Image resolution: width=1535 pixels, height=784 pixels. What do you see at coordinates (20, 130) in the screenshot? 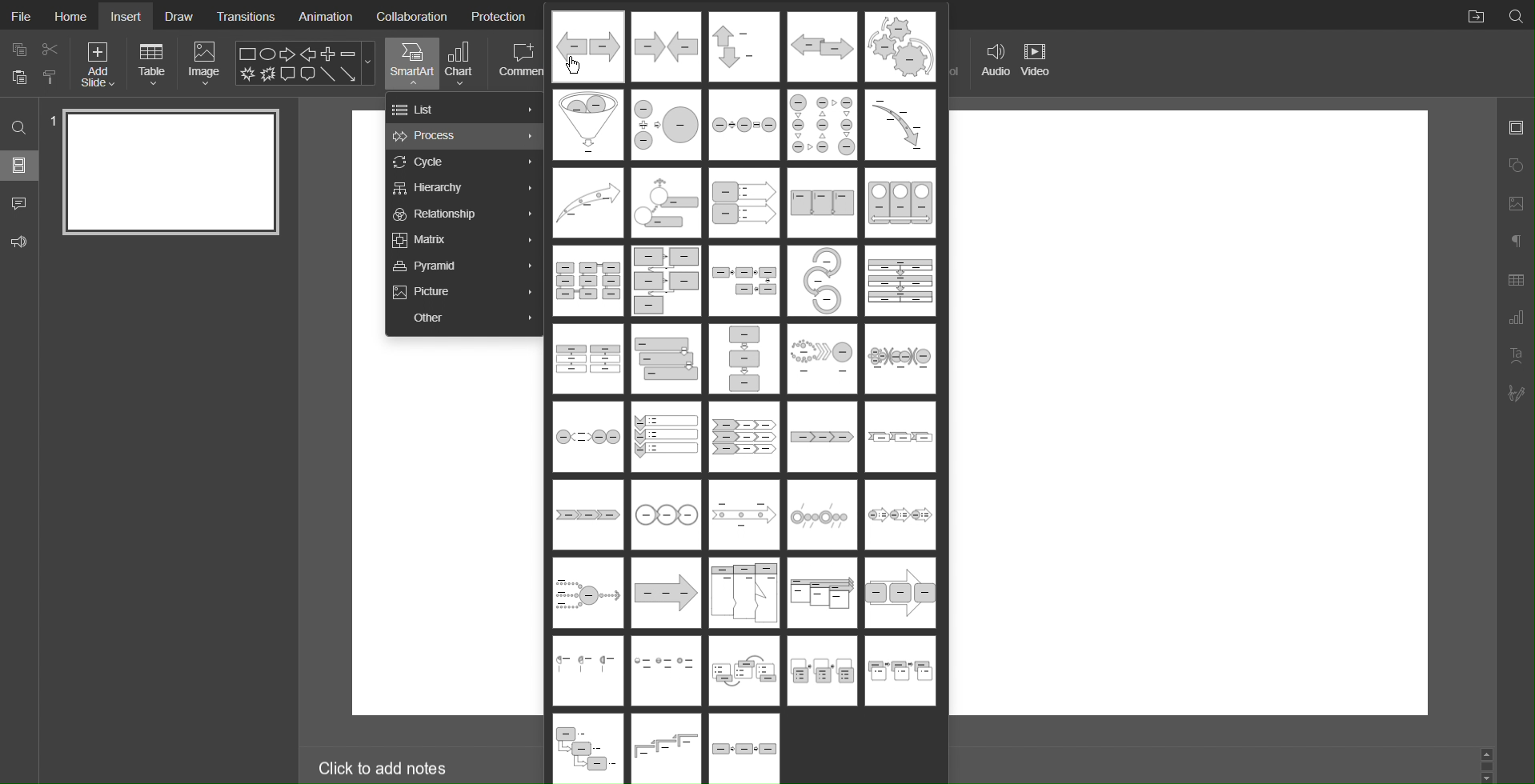
I see `Search` at bounding box center [20, 130].